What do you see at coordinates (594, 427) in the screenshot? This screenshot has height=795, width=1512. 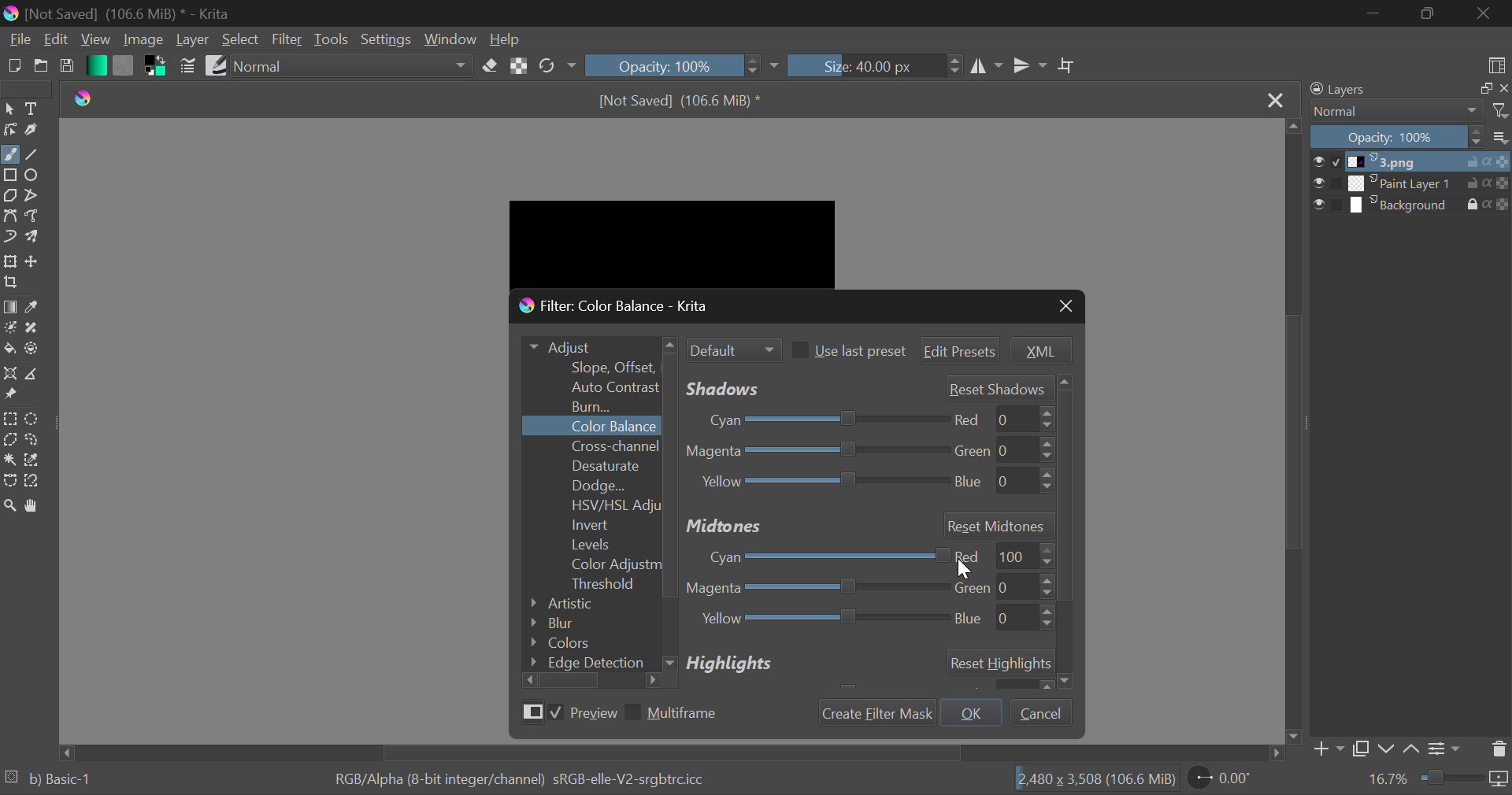 I see `Color Balance` at bounding box center [594, 427].